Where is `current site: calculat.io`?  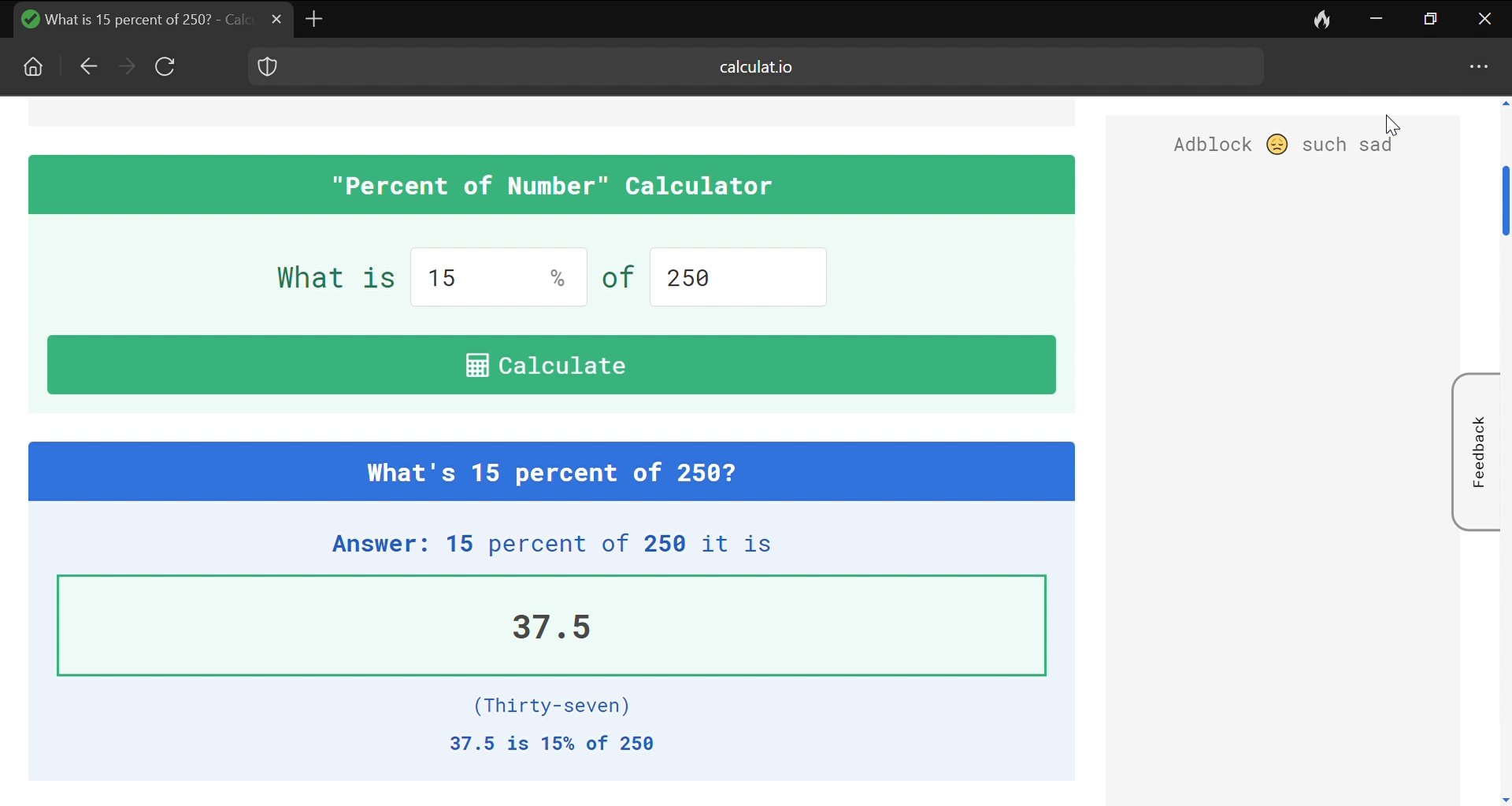 current site: calculat.io is located at coordinates (765, 68).